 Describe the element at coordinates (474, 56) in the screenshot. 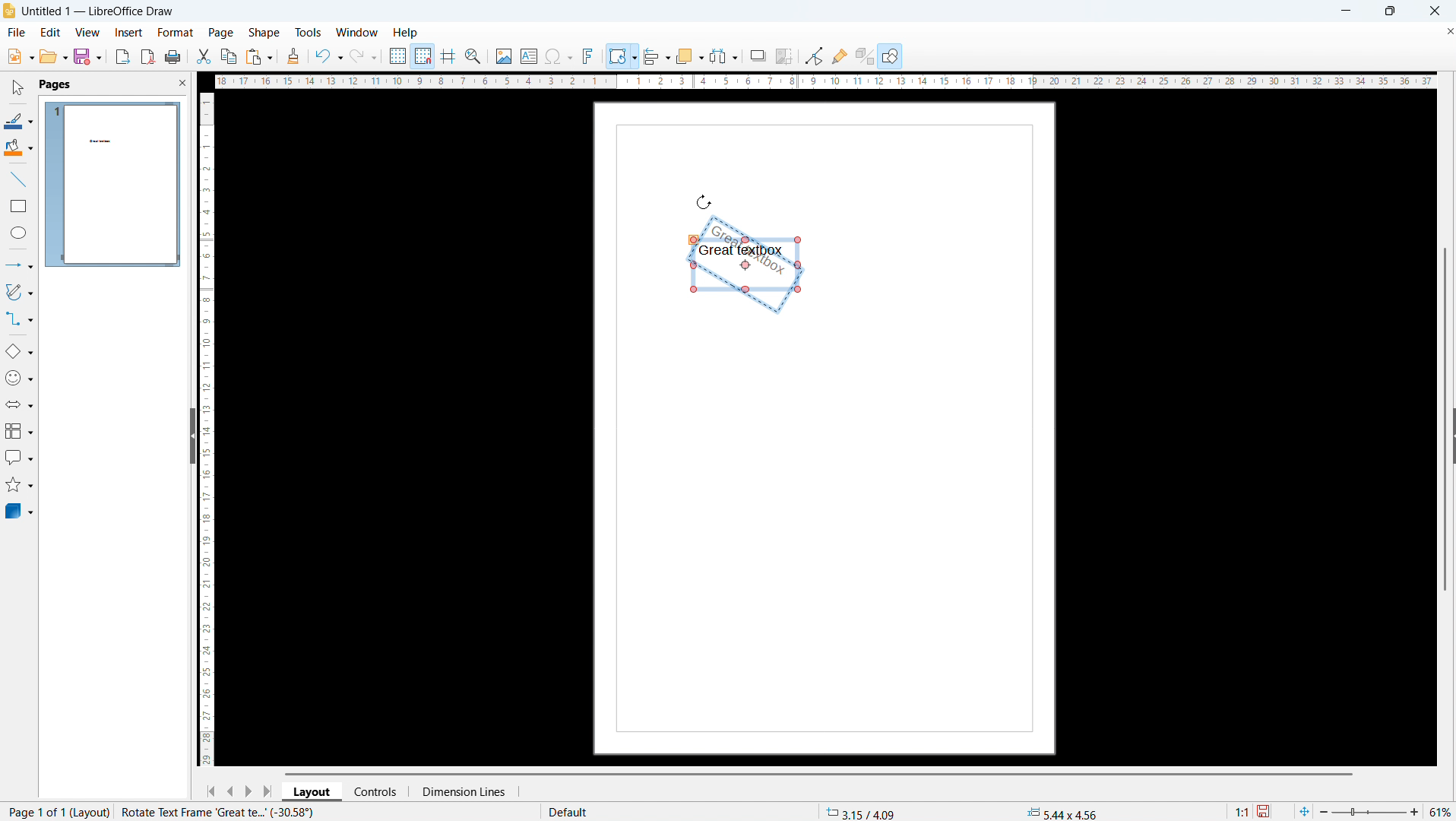

I see `zoom` at that location.